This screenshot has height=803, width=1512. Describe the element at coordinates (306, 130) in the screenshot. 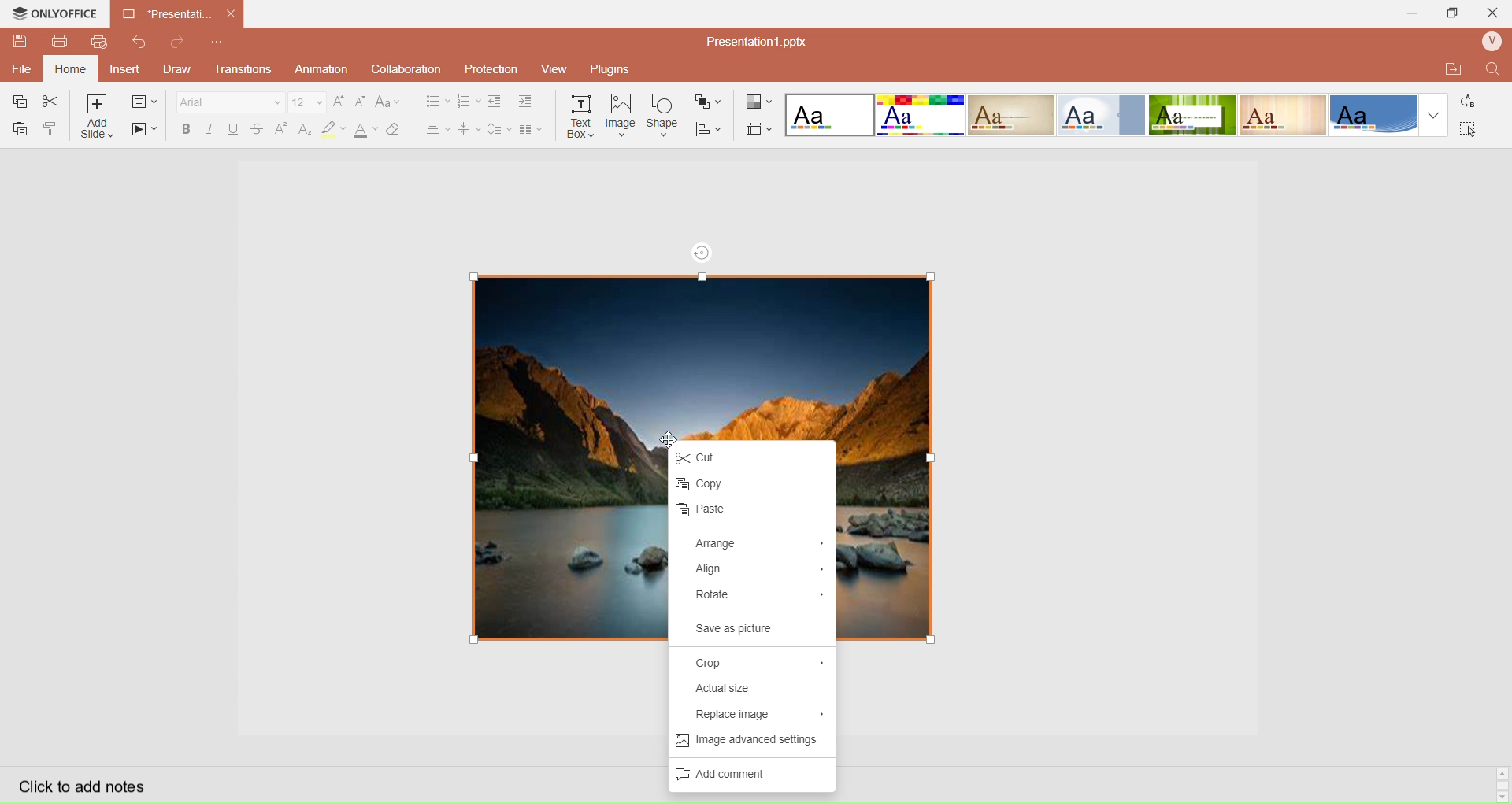

I see `Subscript` at that location.